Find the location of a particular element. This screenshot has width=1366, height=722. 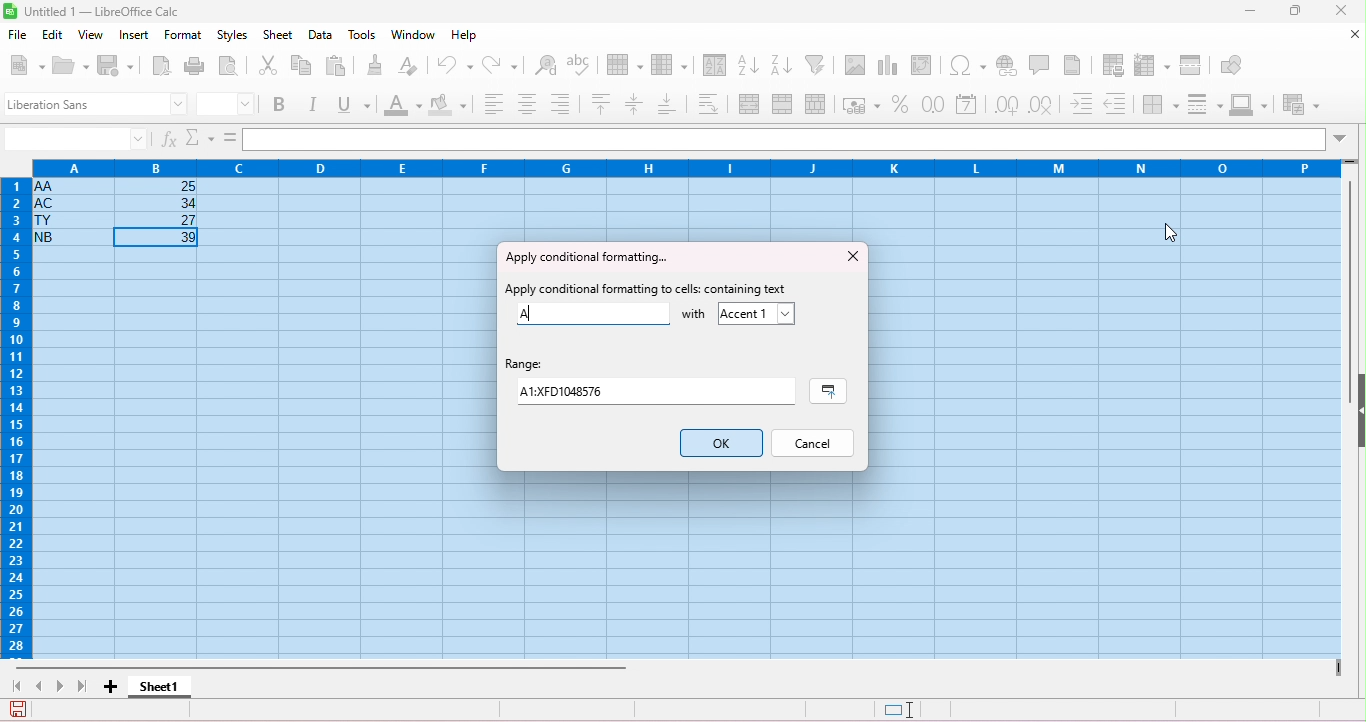

border style is located at coordinates (1205, 103).